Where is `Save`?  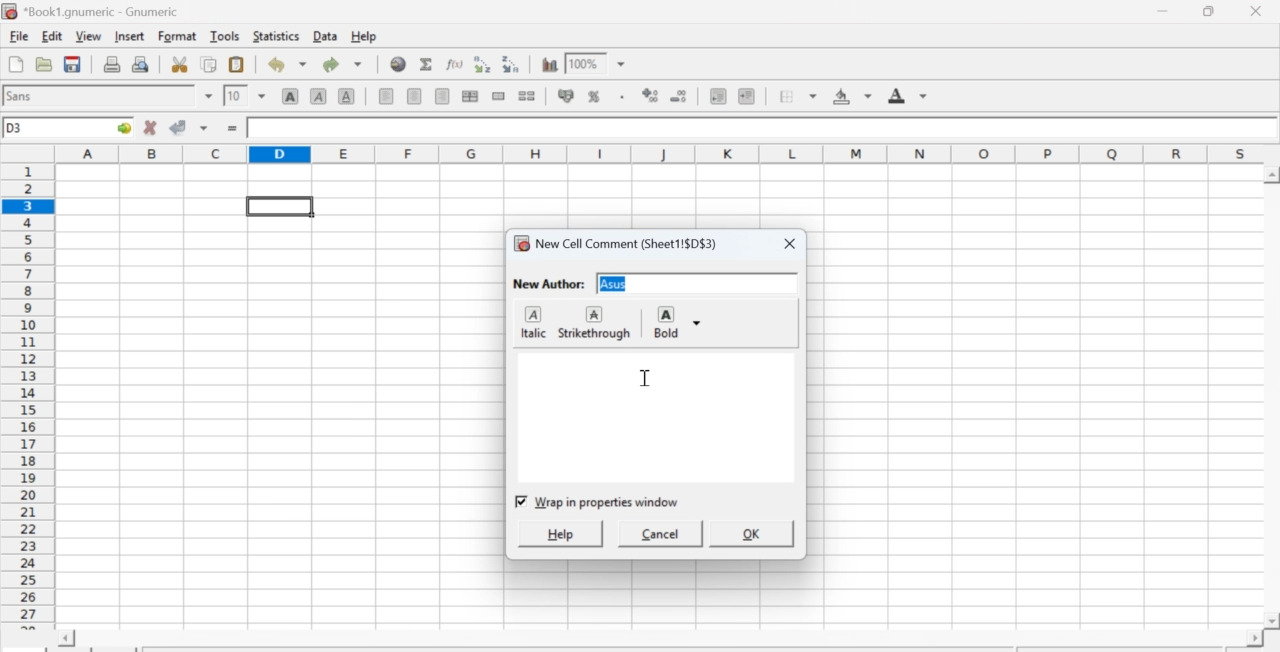
Save is located at coordinates (72, 65).